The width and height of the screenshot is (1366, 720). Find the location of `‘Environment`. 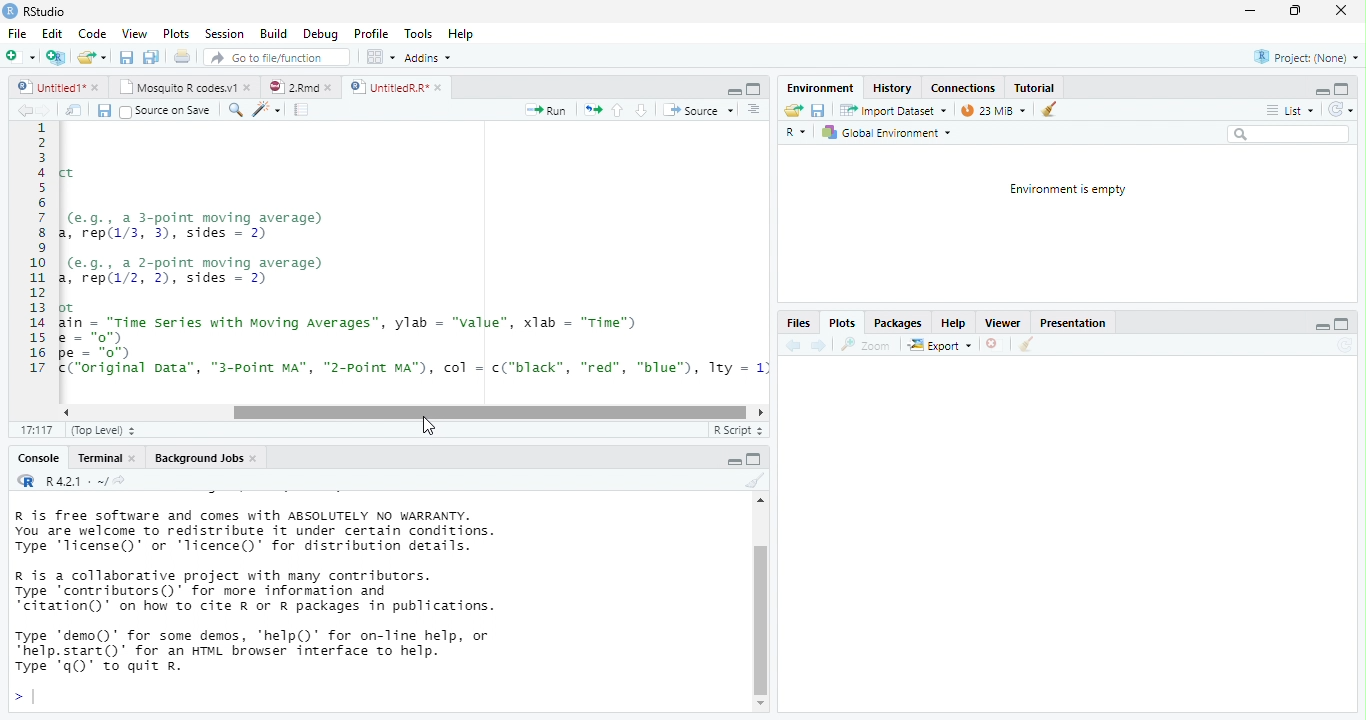

‘Environment is located at coordinates (819, 88).